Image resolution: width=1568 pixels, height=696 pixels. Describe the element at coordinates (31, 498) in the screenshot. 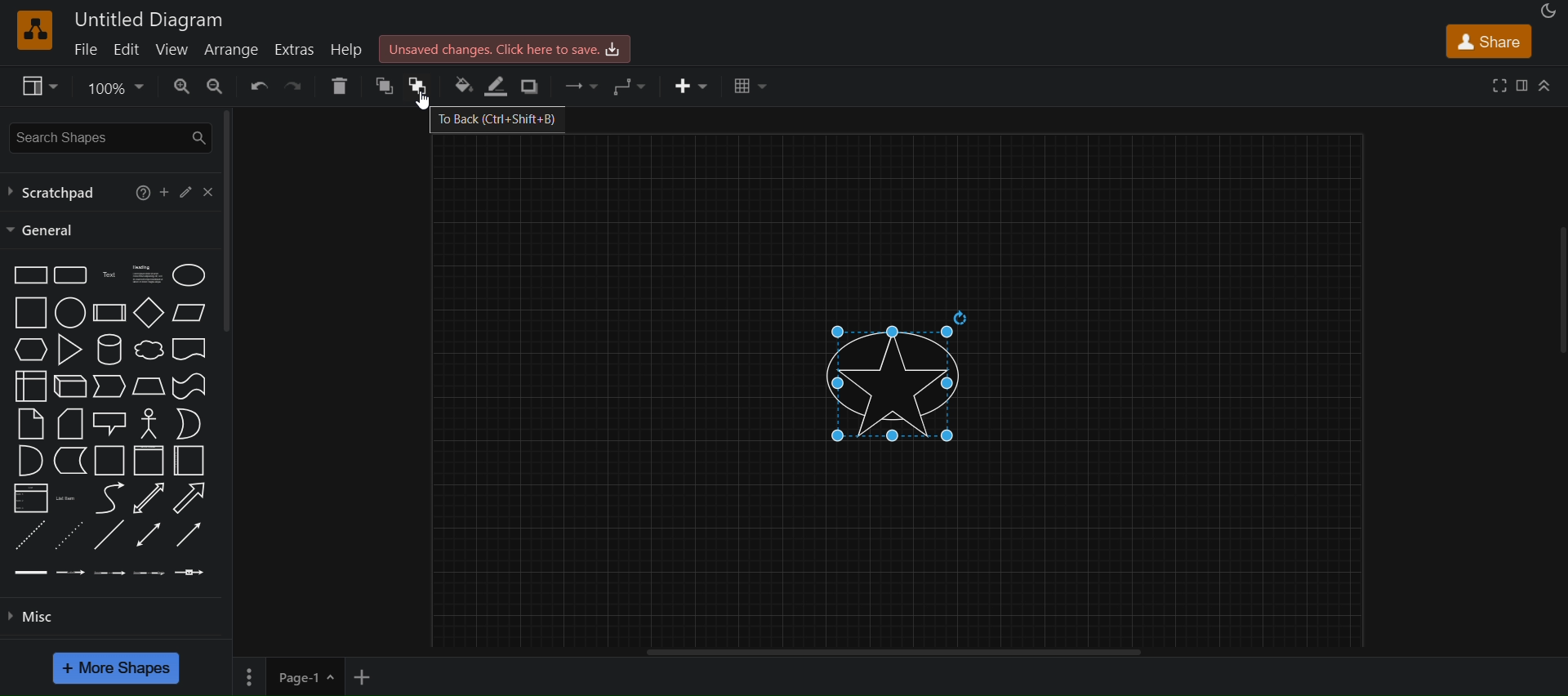

I see `list` at that location.